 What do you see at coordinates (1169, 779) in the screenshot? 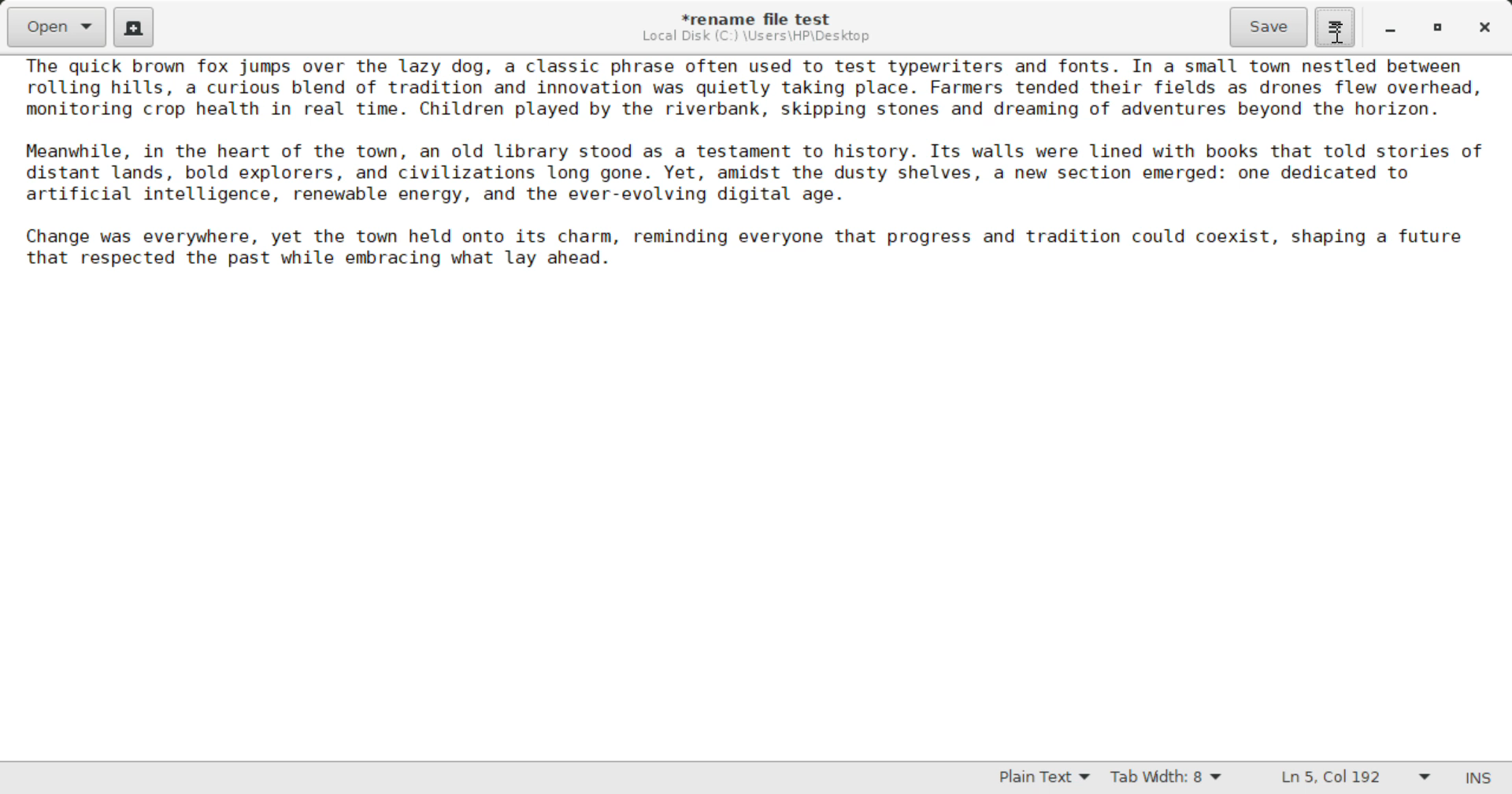
I see `Tab Width ` at bounding box center [1169, 779].